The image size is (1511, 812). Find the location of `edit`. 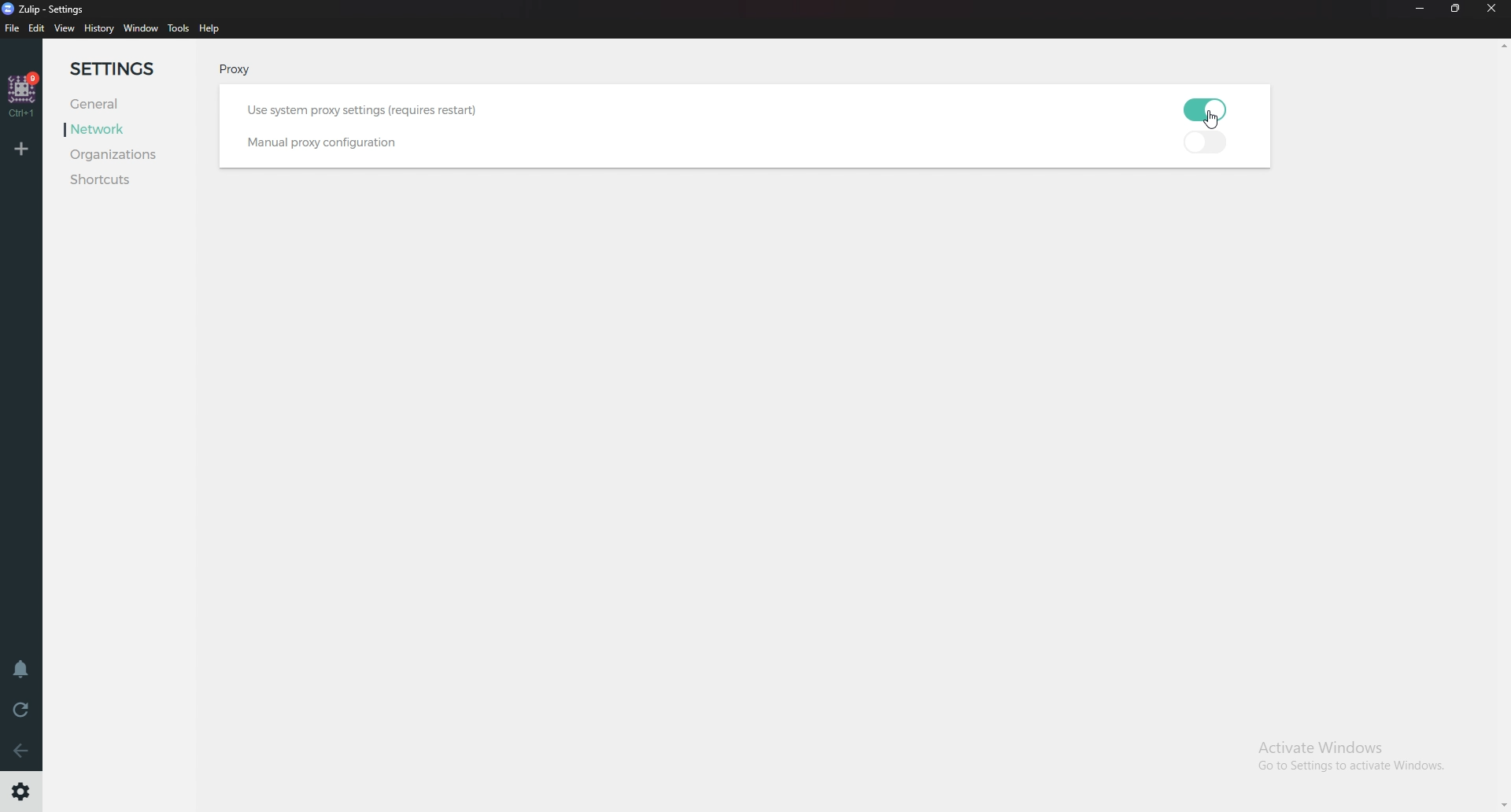

edit is located at coordinates (37, 28).